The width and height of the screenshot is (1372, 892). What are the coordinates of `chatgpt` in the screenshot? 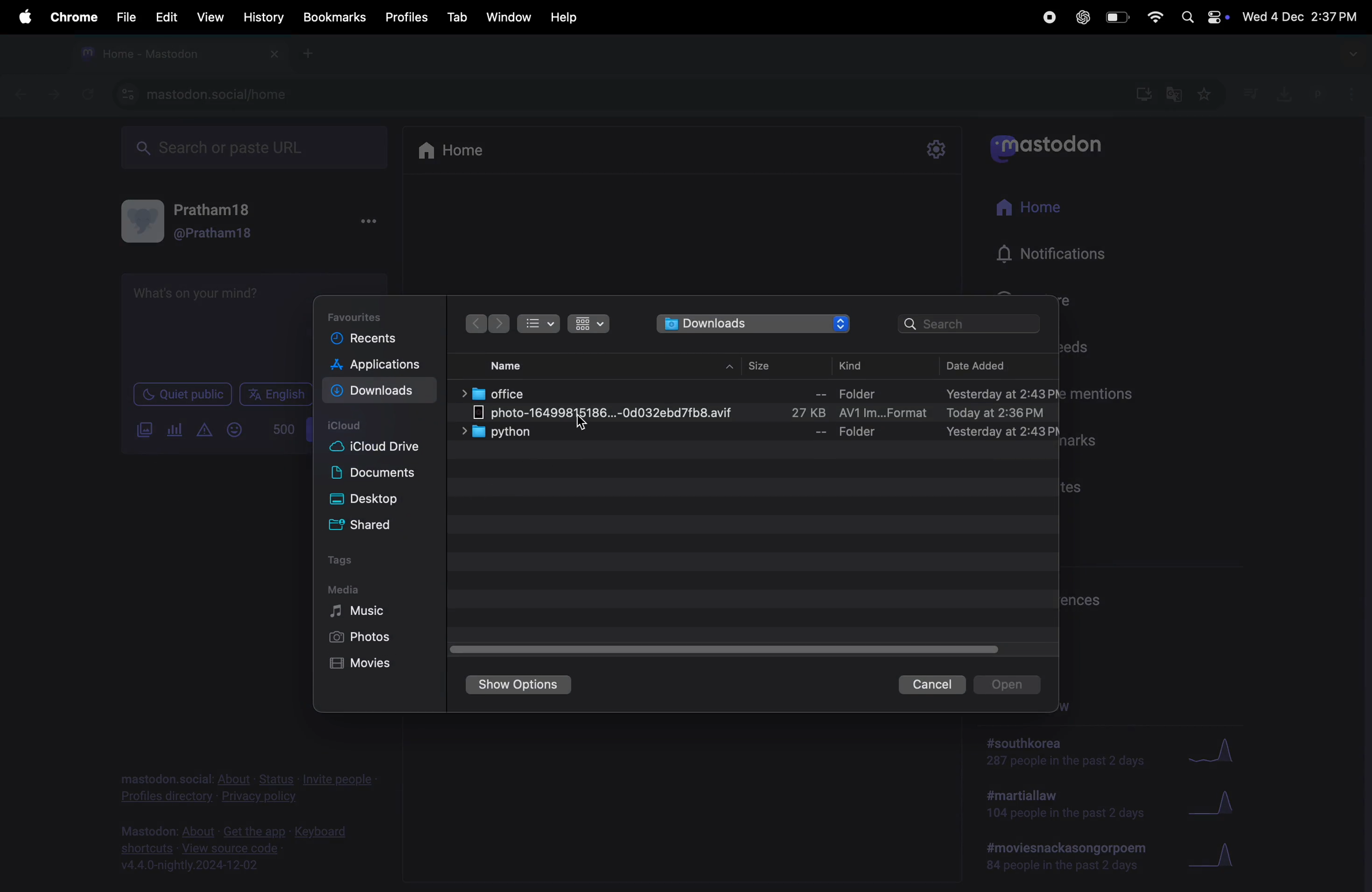 It's located at (1081, 17).